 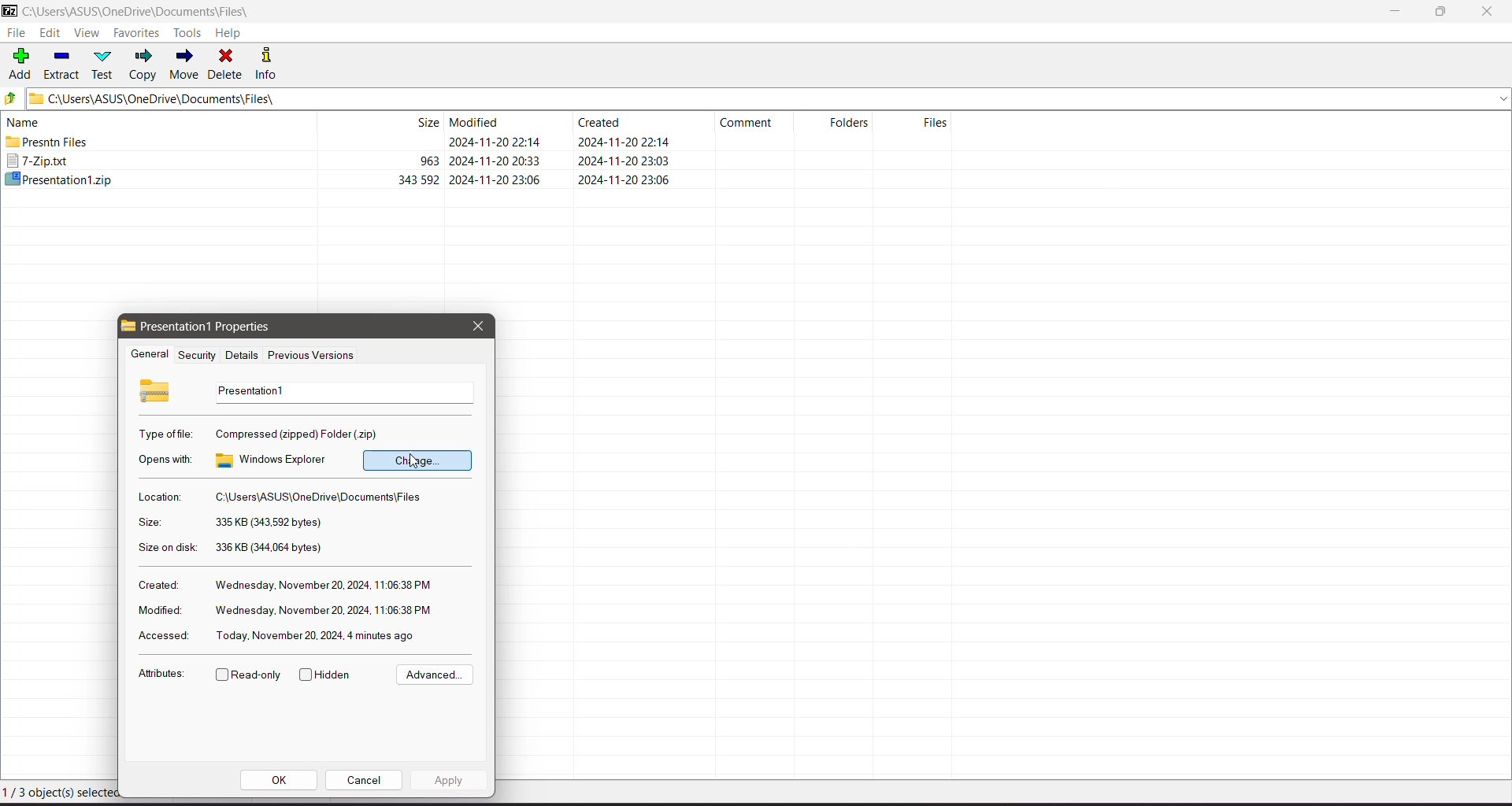 What do you see at coordinates (272, 63) in the screenshot?
I see `Info` at bounding box center [272, 63].